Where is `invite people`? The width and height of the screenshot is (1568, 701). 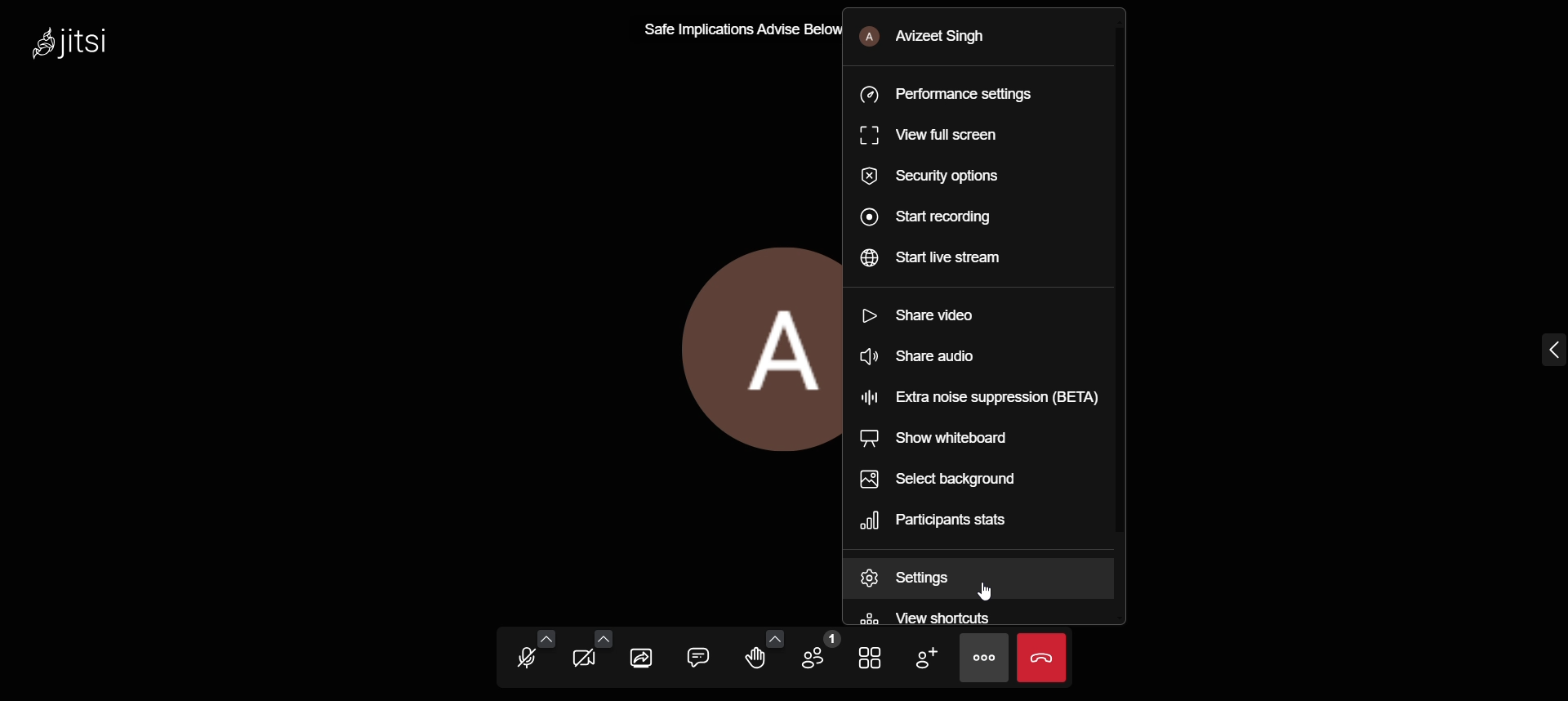 invite people is located at coordinates (920, 657).